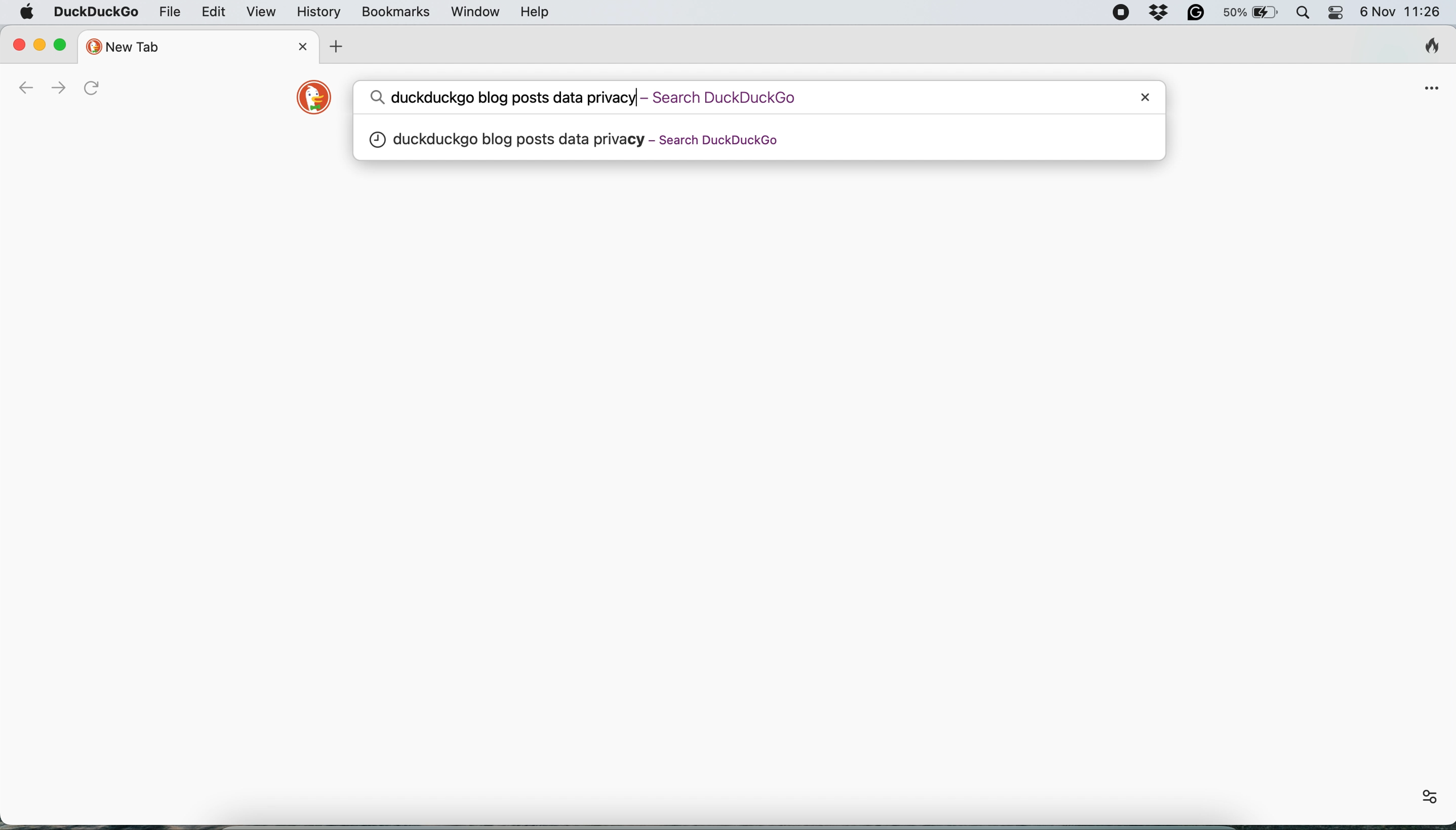 The width and height of the screenshot is (1456, 830). I want to click on close, so click(1144, 97).